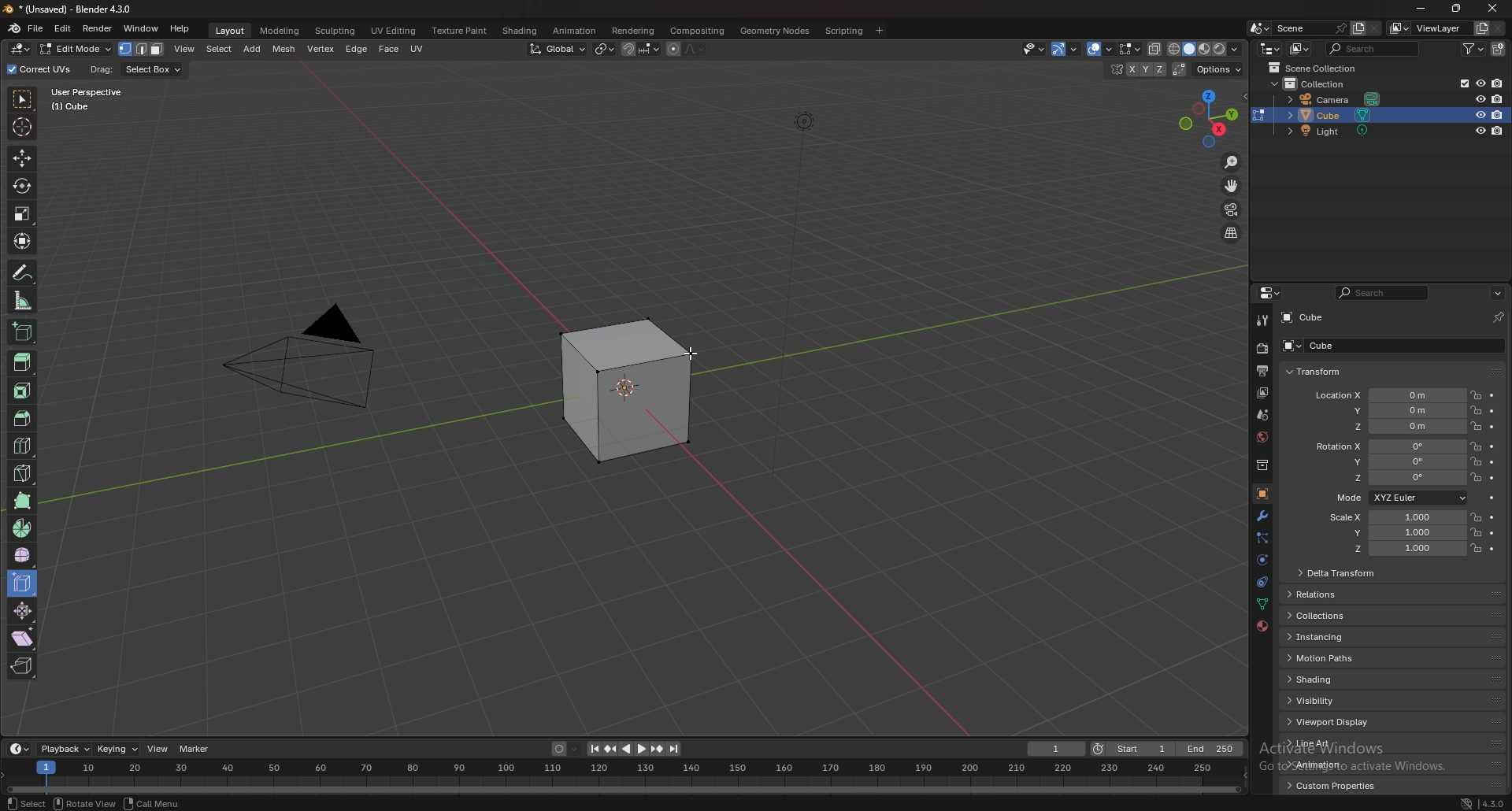 The image size is (1512, 811). Describe the element at coordinates (1128, 49) in the screenshot. I see `show overlays` at that location.